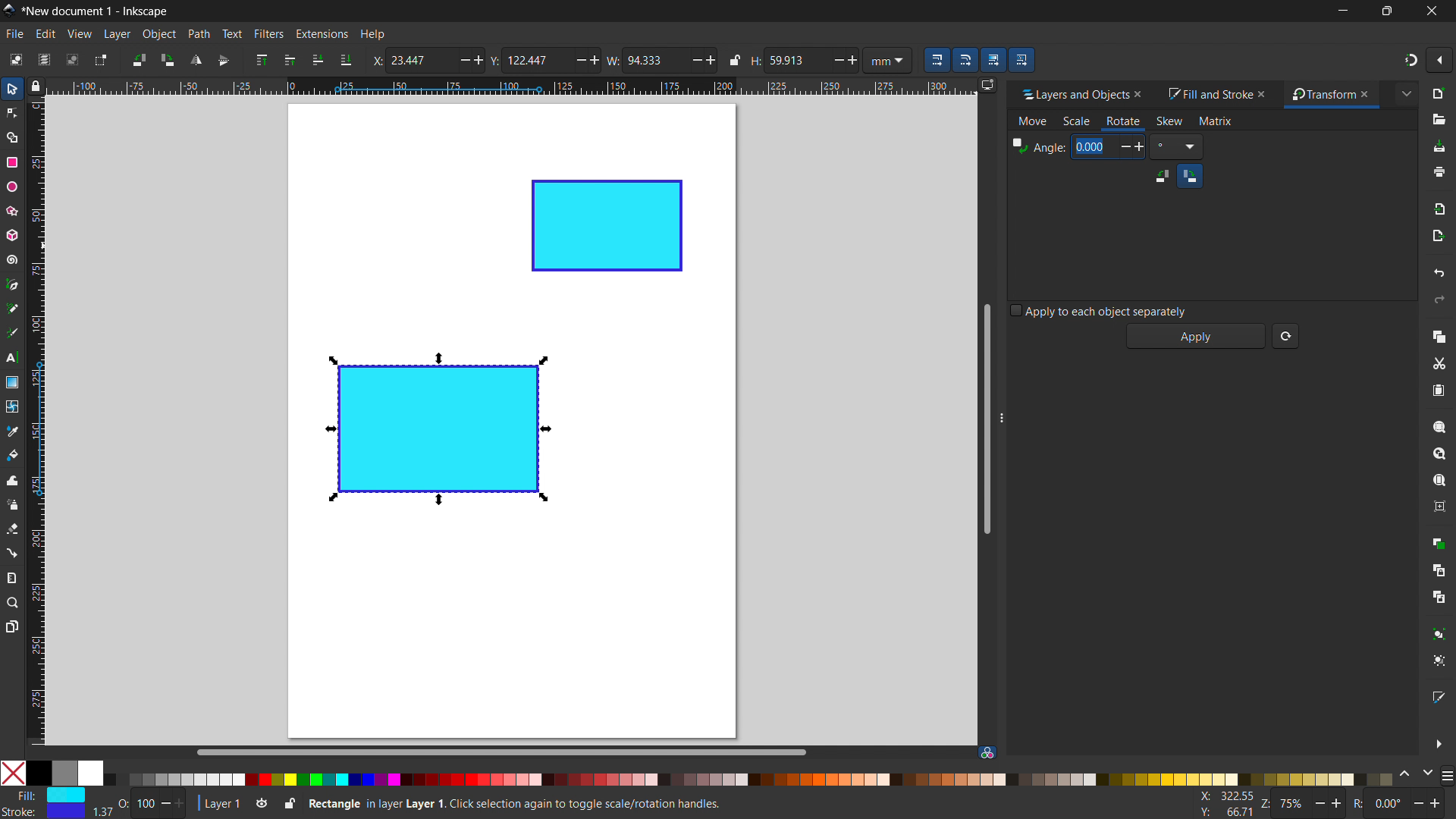 The width and height of the screenshot is (1456, 819). What do you see at coordinates (1440, 172) in the screenshot?
I see `print` at bounding box center [1440, 172].